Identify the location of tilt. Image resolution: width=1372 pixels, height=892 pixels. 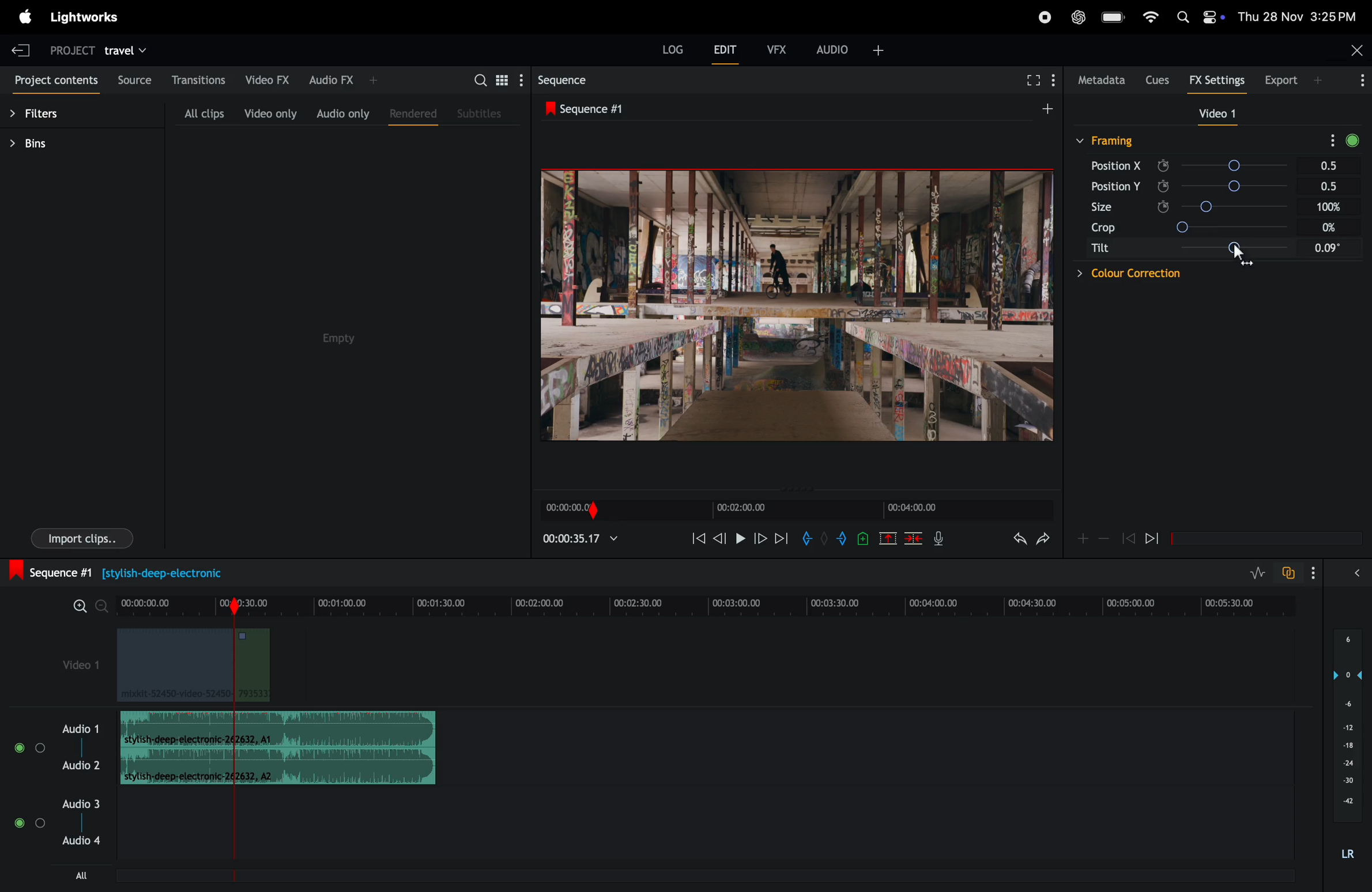
(1124, 250).